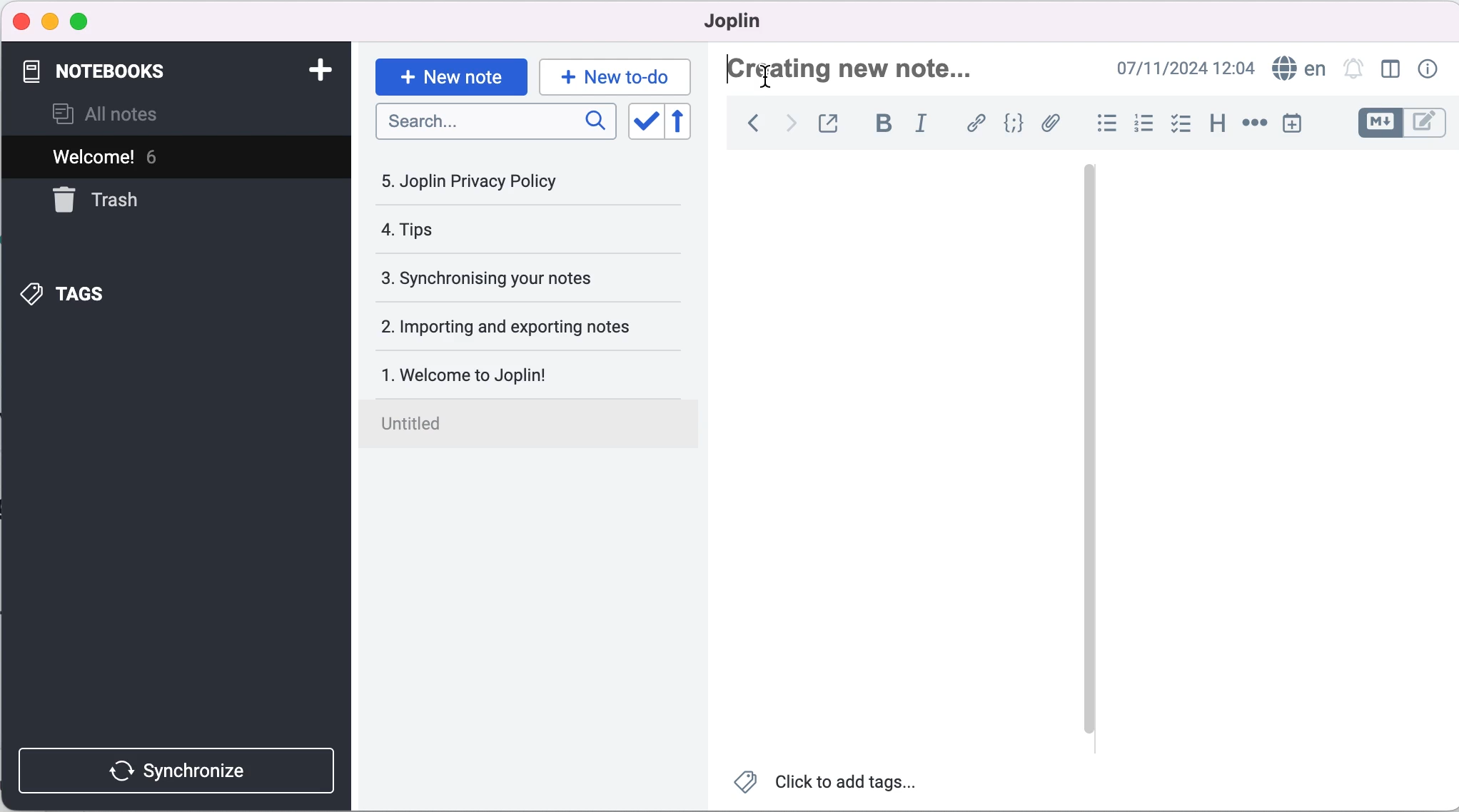 This screenshot has width=1459, height=812. Describe the element at coordinates (792, 123) in the screenshot. I see `forward` at that location.